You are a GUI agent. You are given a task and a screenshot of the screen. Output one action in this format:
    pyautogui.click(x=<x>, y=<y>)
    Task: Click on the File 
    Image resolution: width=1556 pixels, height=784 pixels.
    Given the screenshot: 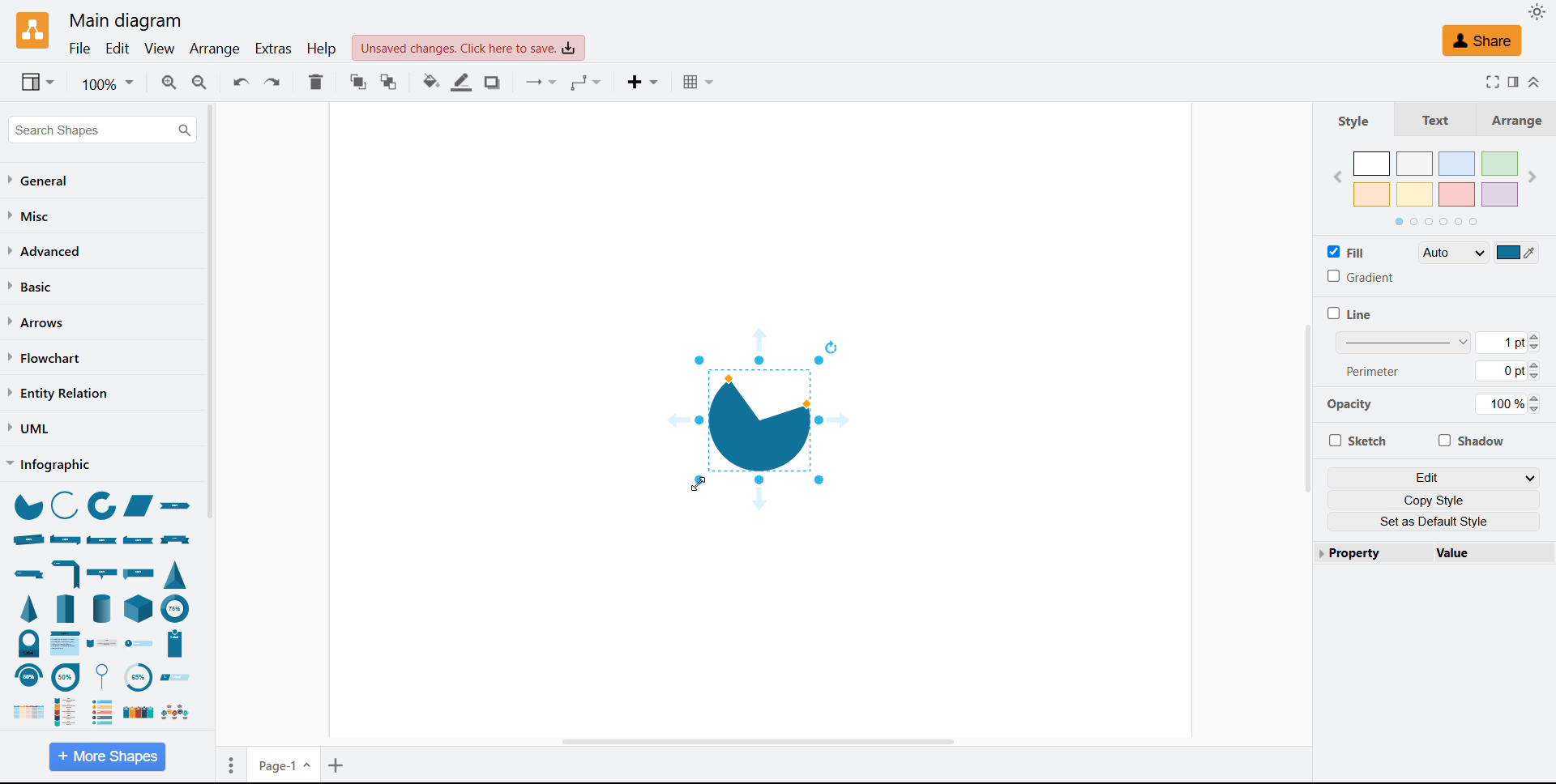 What is the action you would take?
    pyautogui.click(x=81, y=49)
    